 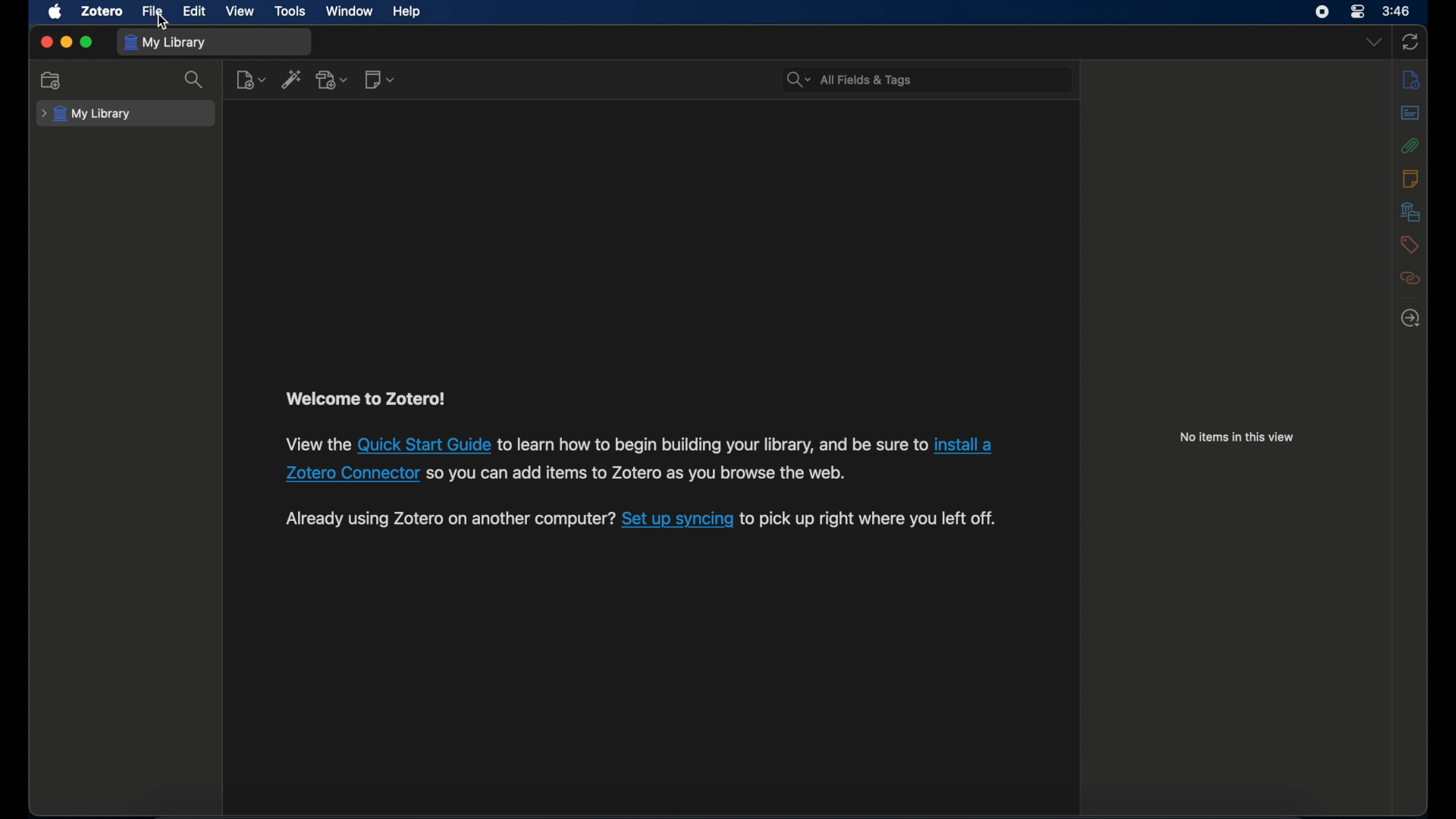 What do you see at coordinates (1238, 438) in the screenshot?
I see `no items in this view` at bounding box center [1238, 438].